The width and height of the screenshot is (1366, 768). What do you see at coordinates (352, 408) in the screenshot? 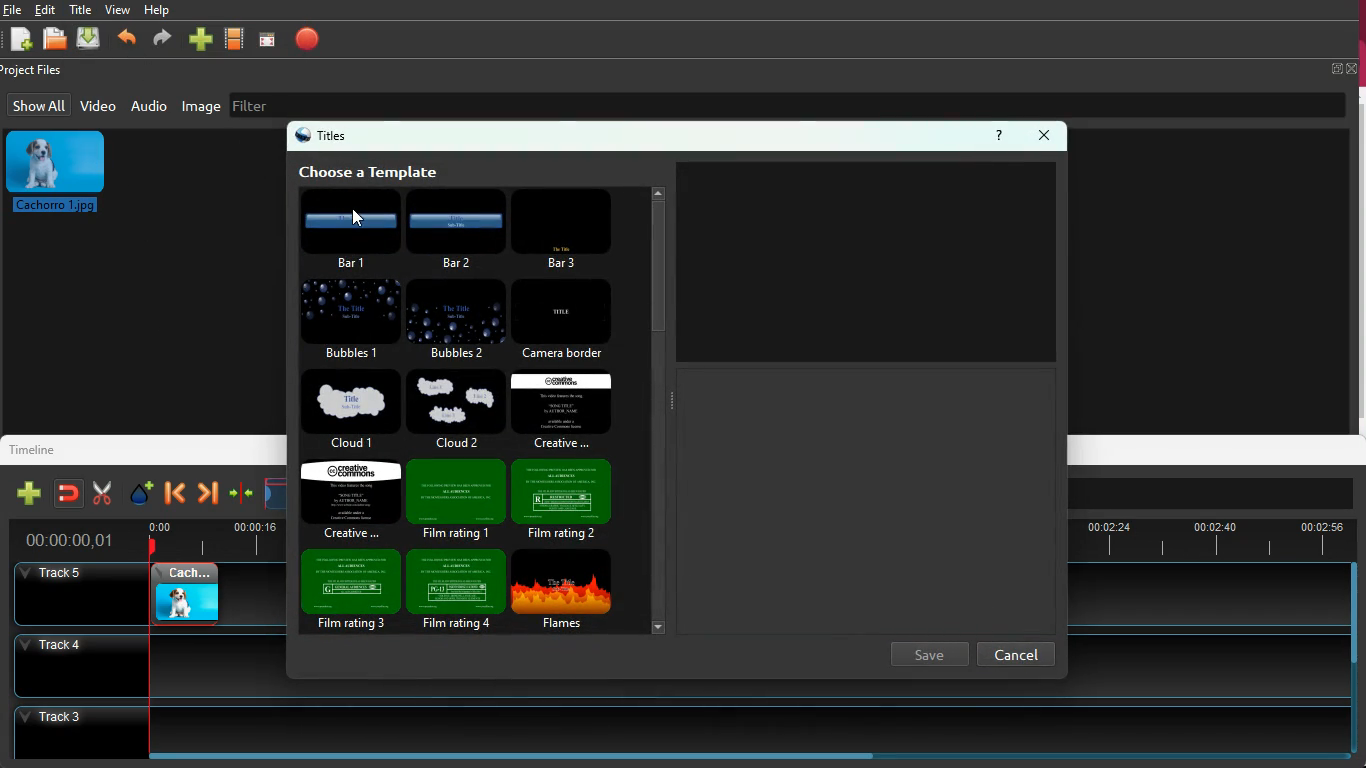
I see `cloud 1` at bounding box center [352, 408].